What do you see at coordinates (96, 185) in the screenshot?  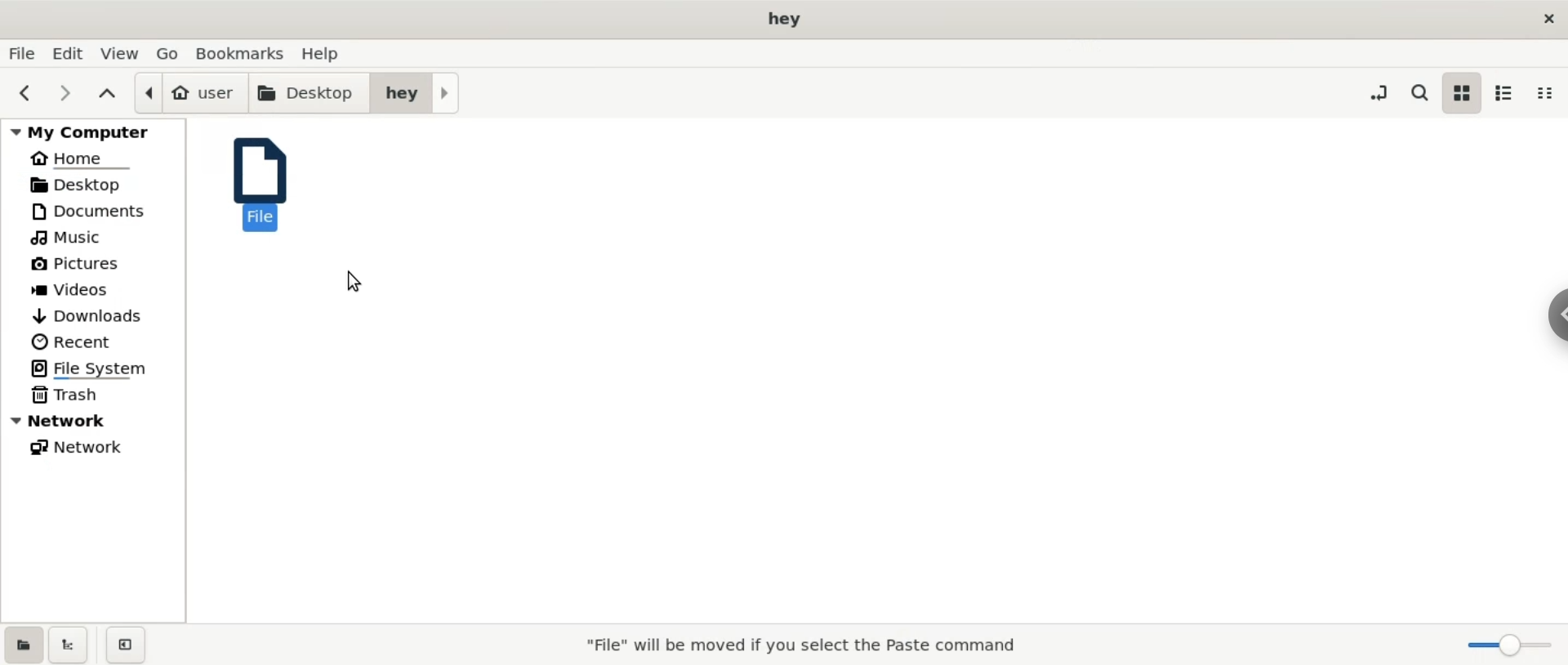 I see `desktop` at bounding box center [96, 185].